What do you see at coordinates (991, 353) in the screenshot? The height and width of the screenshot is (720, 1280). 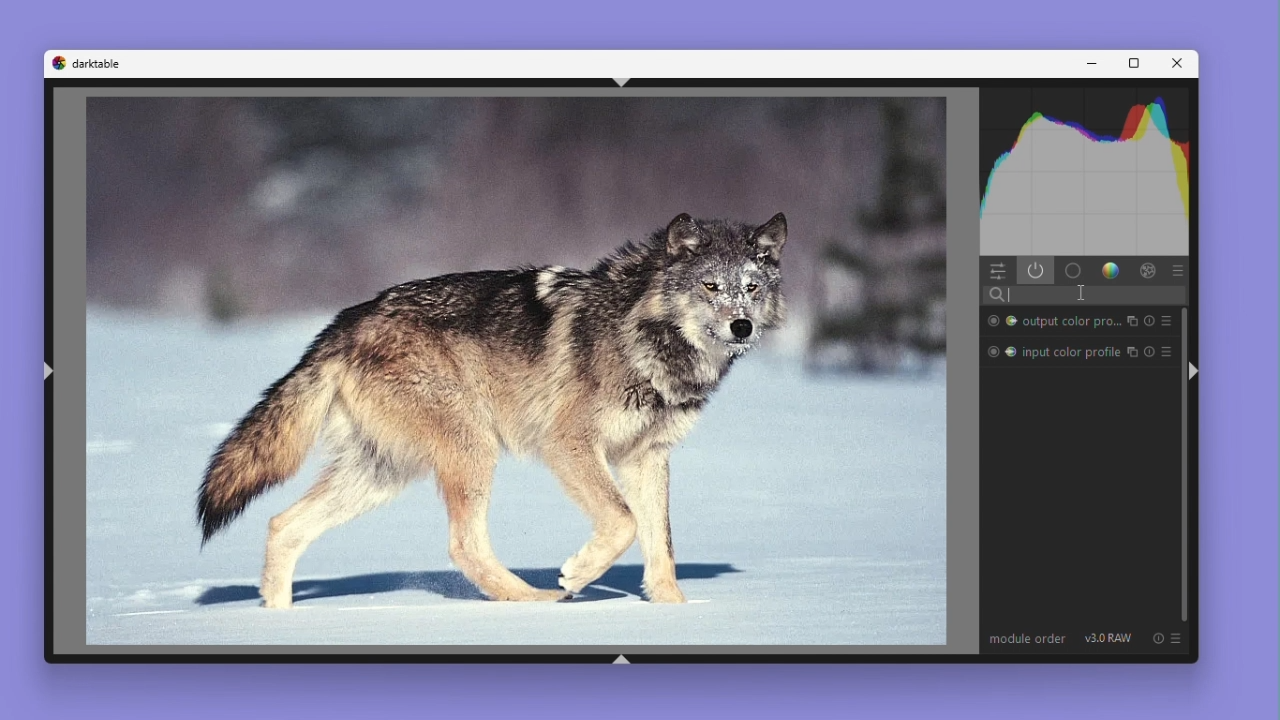 I see `Radial Mask` at bounding box center [991, 353].